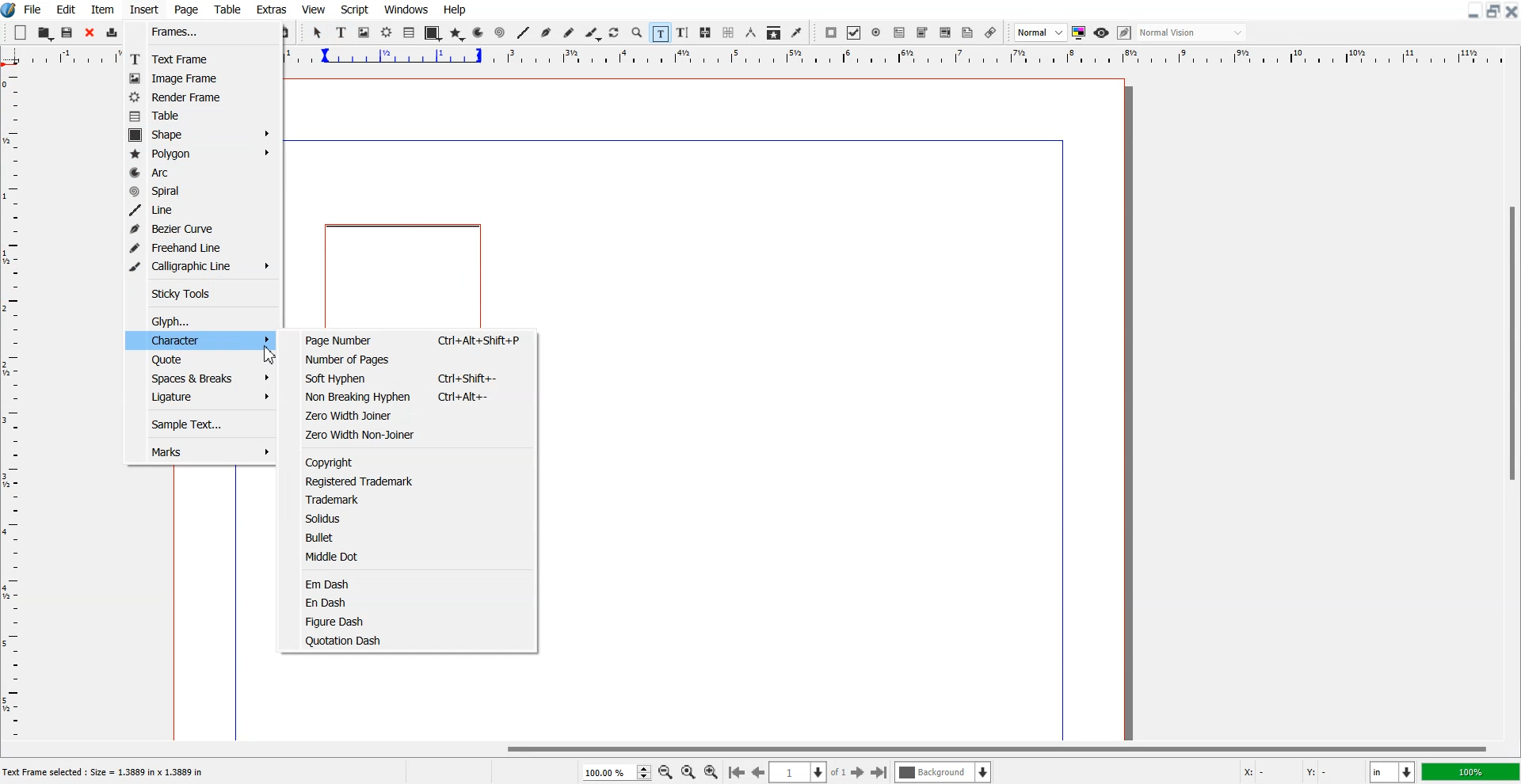  Describe the element at coordinates (413, 639) in the screenshot. I see `Quotation Dash` at that location.